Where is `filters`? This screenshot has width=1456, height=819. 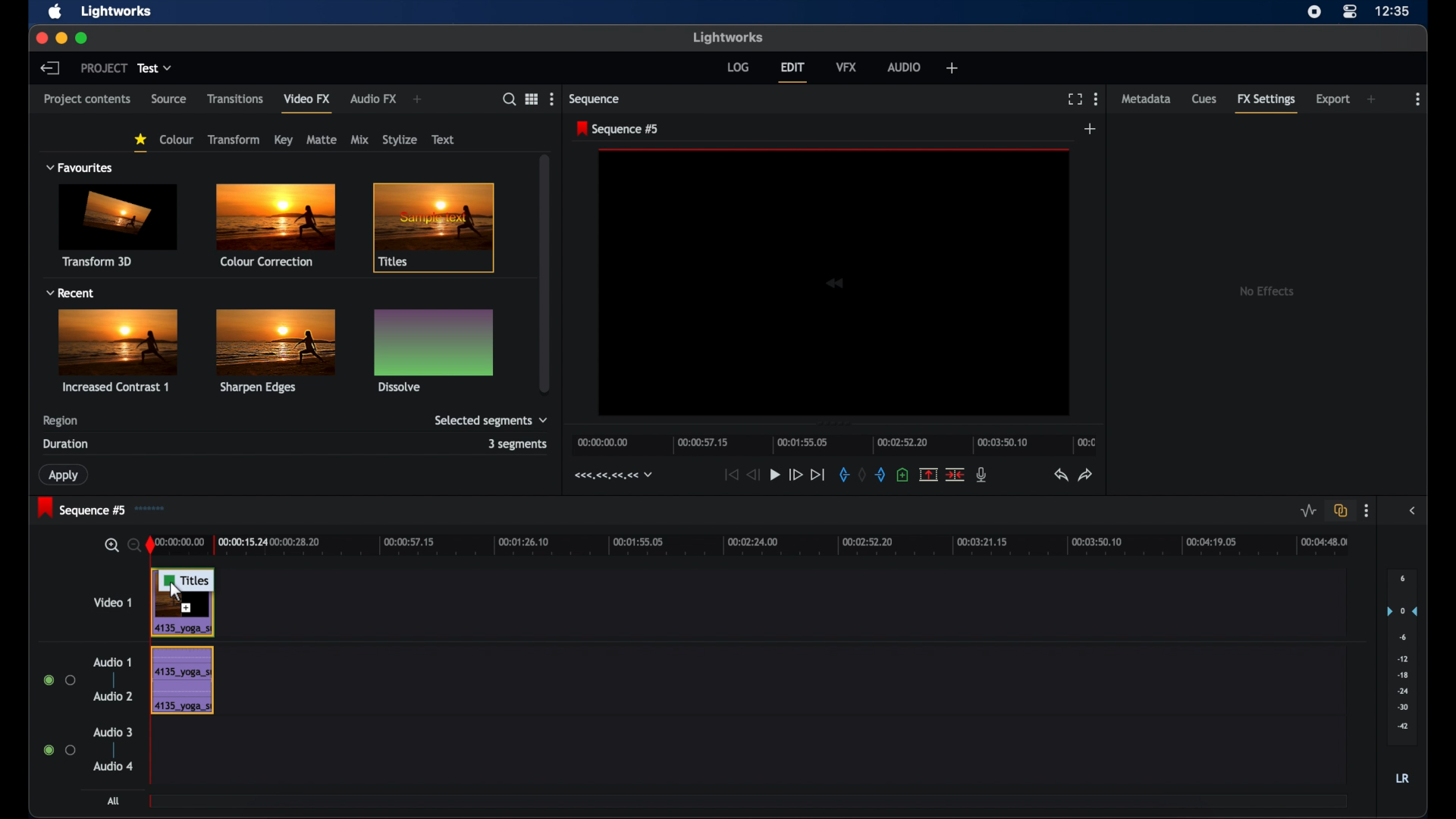
filters is located at coordinates (63, 133).